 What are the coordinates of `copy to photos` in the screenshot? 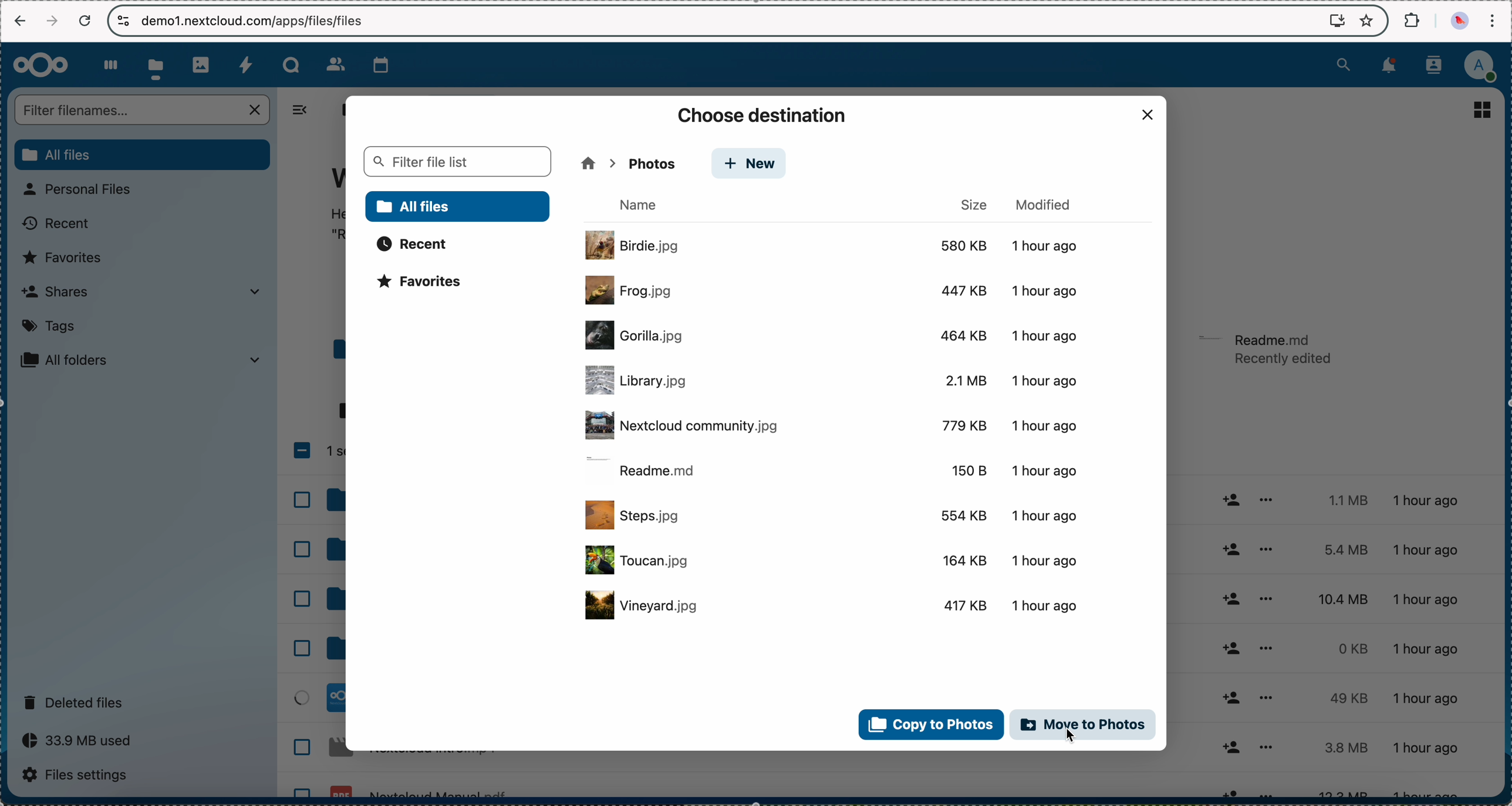 It's located at (928, 724).